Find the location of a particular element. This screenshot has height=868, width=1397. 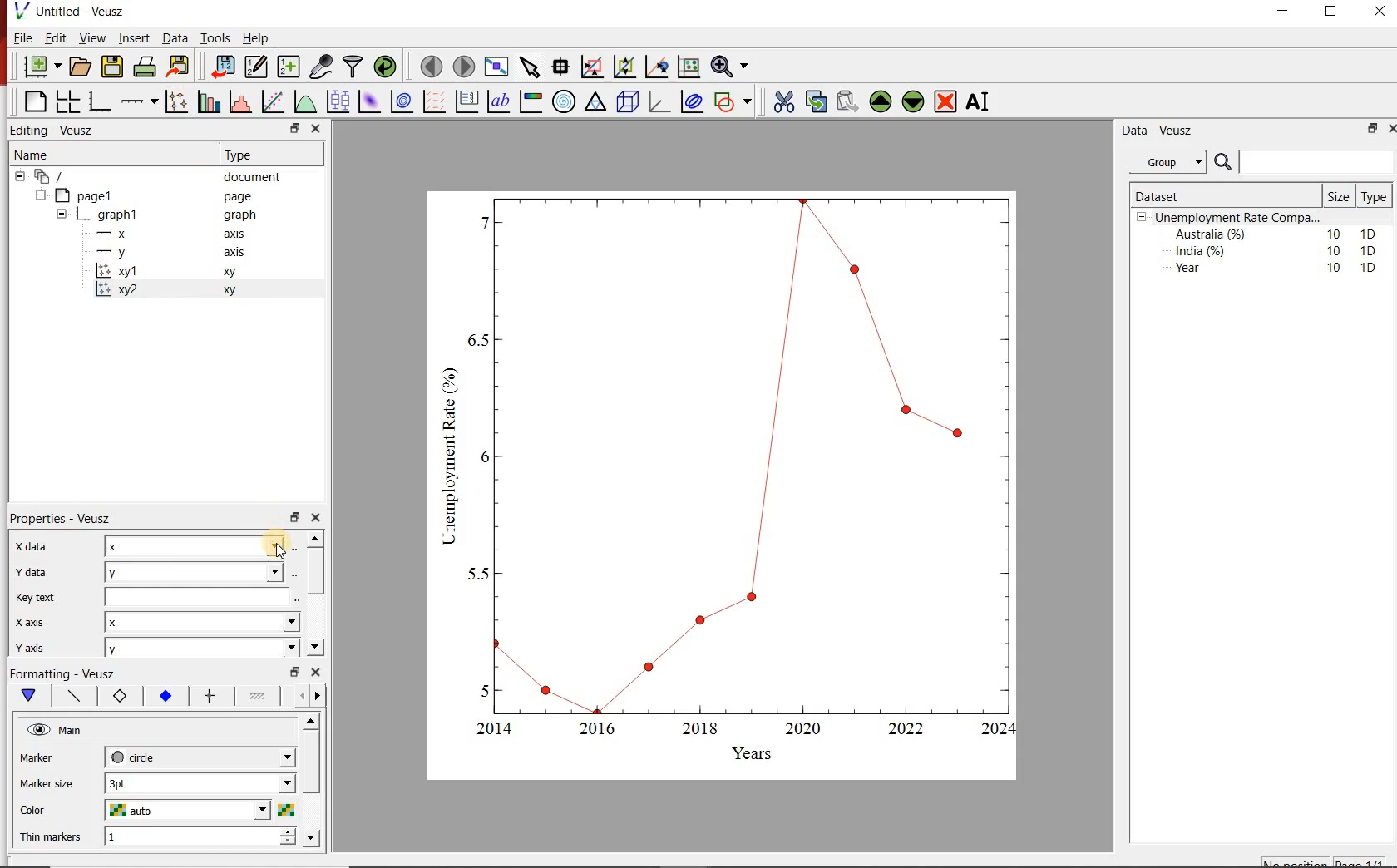

arrange graphs is located at coordinates (67, 101).